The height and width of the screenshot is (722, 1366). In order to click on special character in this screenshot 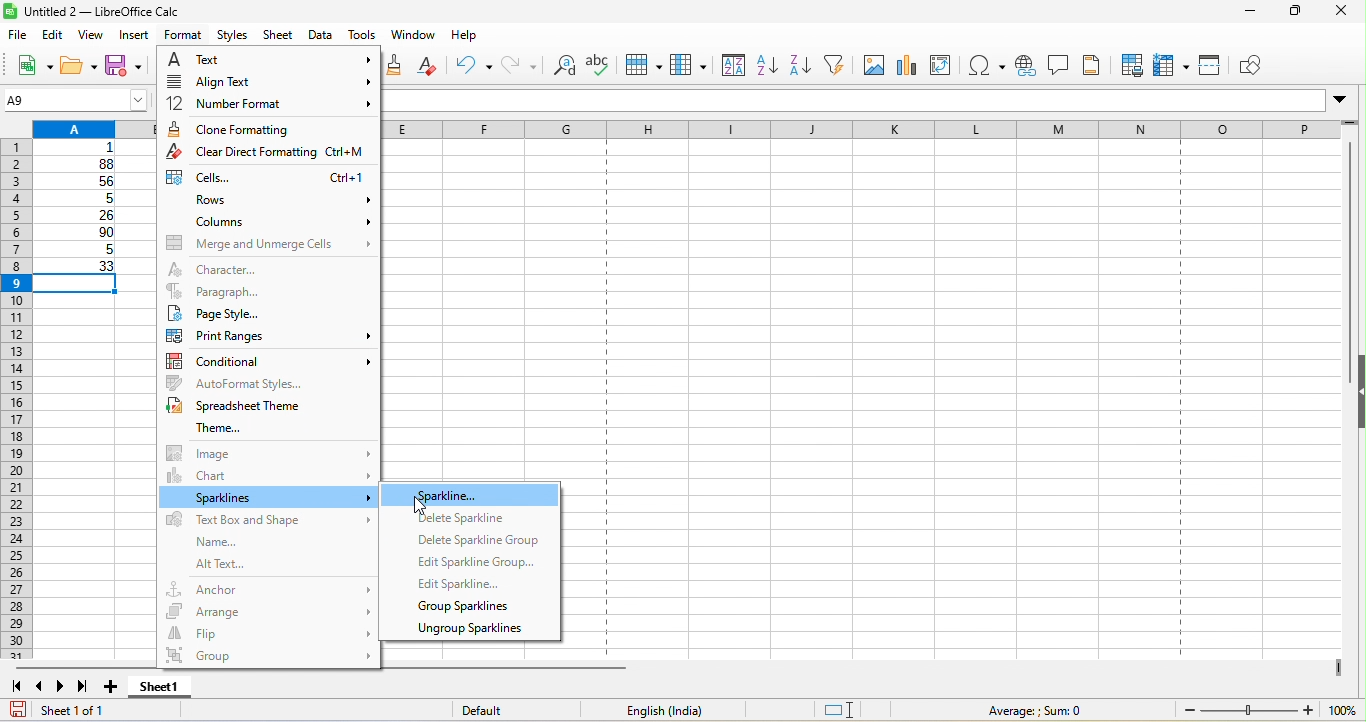, I will do `click(987, 67)`.